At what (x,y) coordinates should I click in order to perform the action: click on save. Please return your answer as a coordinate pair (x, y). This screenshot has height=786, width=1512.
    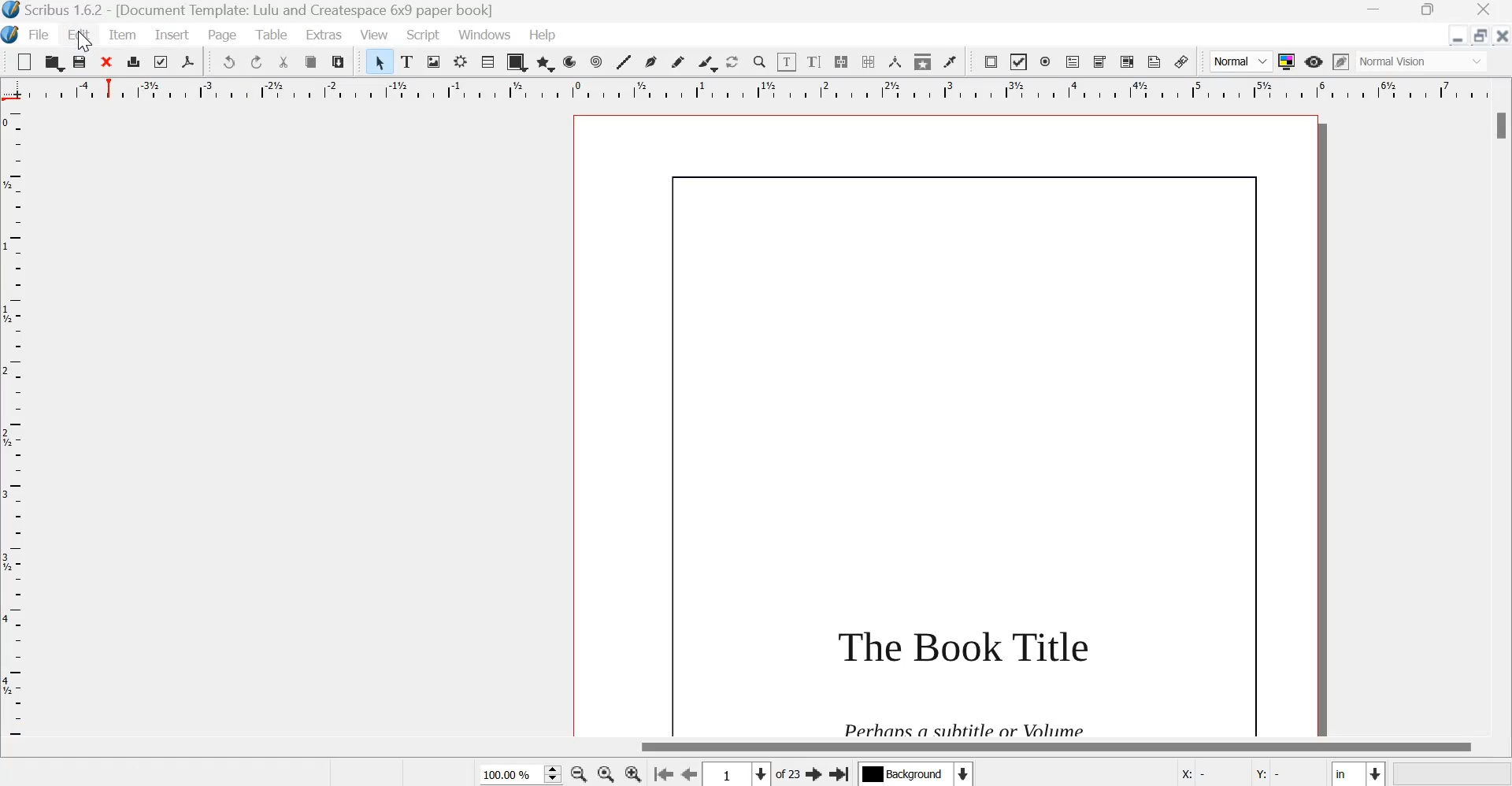
    Looking at the image, I should click on (80, 61).